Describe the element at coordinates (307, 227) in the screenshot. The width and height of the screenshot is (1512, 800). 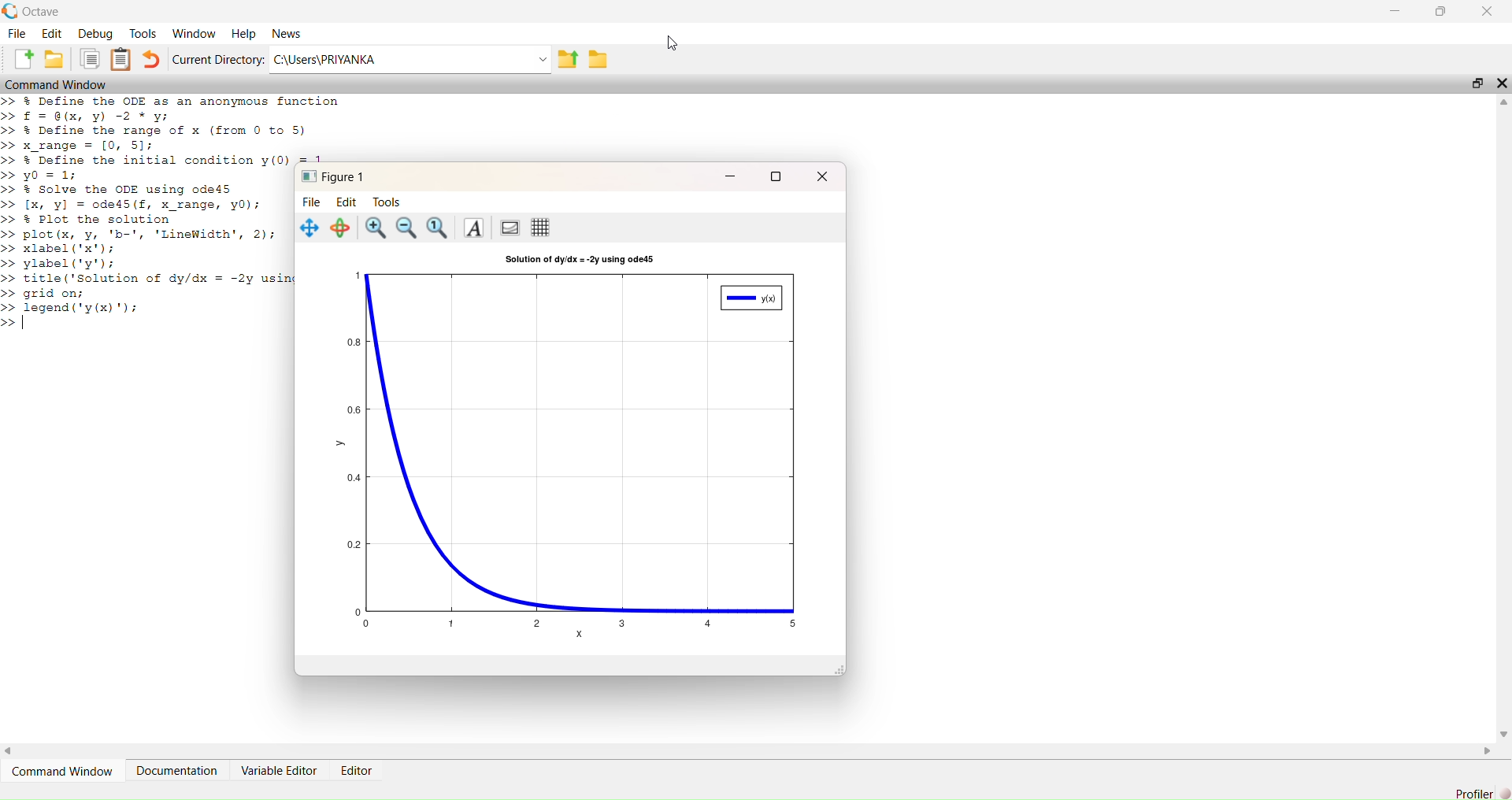
I see `Pan` at that location.